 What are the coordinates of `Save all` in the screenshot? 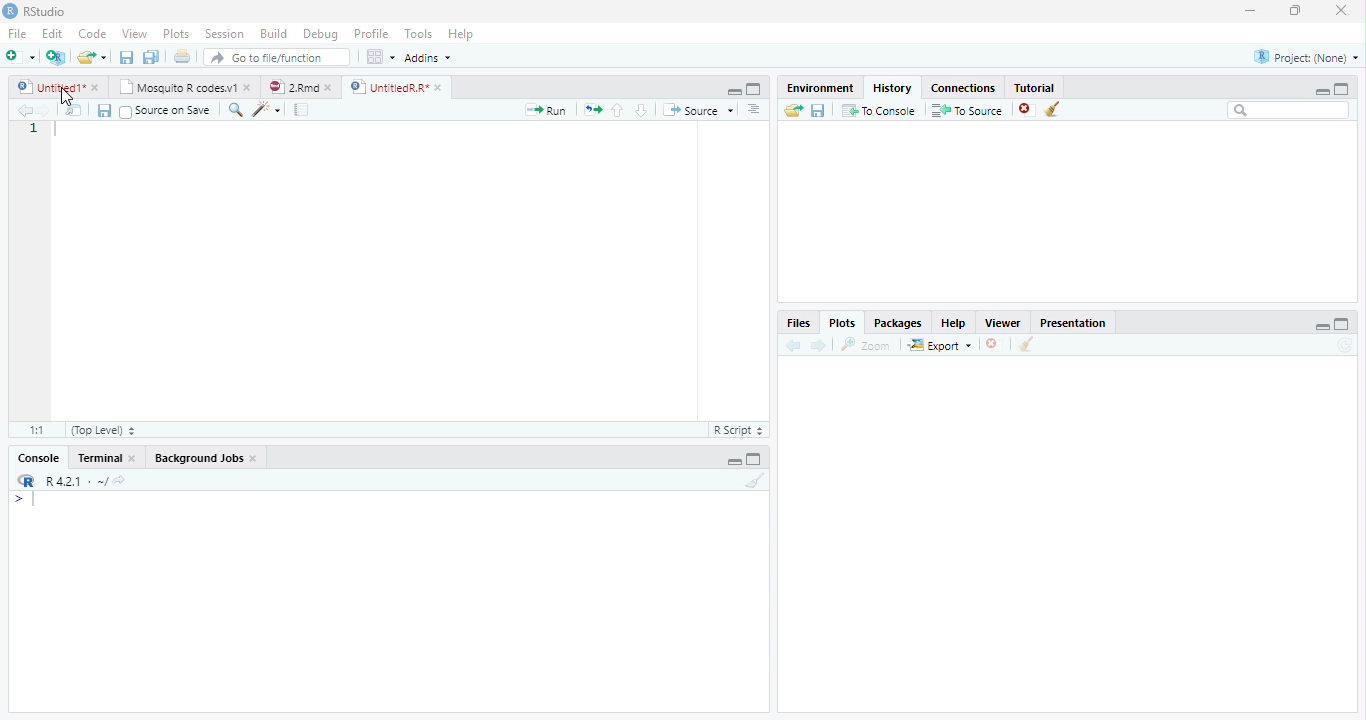 It's located at (150, 58).